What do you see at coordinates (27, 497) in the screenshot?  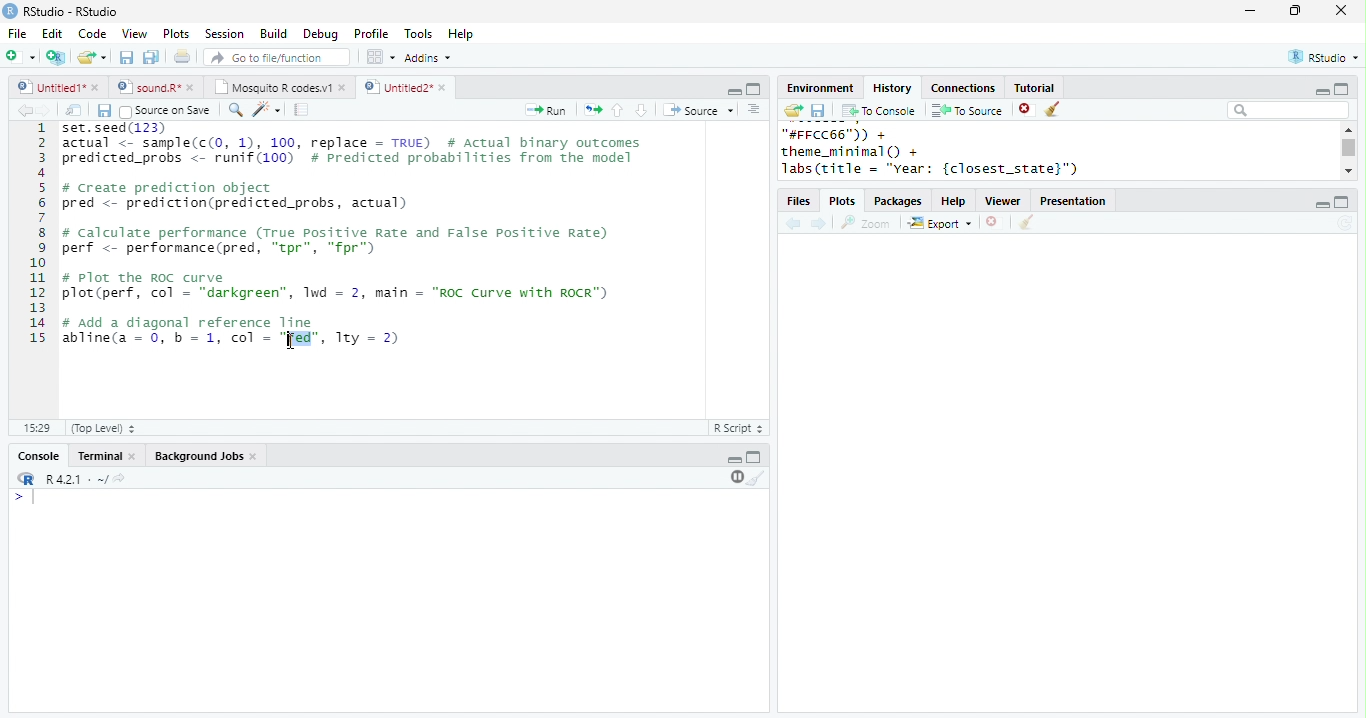 I see `>` at bounding box center [27, 497].